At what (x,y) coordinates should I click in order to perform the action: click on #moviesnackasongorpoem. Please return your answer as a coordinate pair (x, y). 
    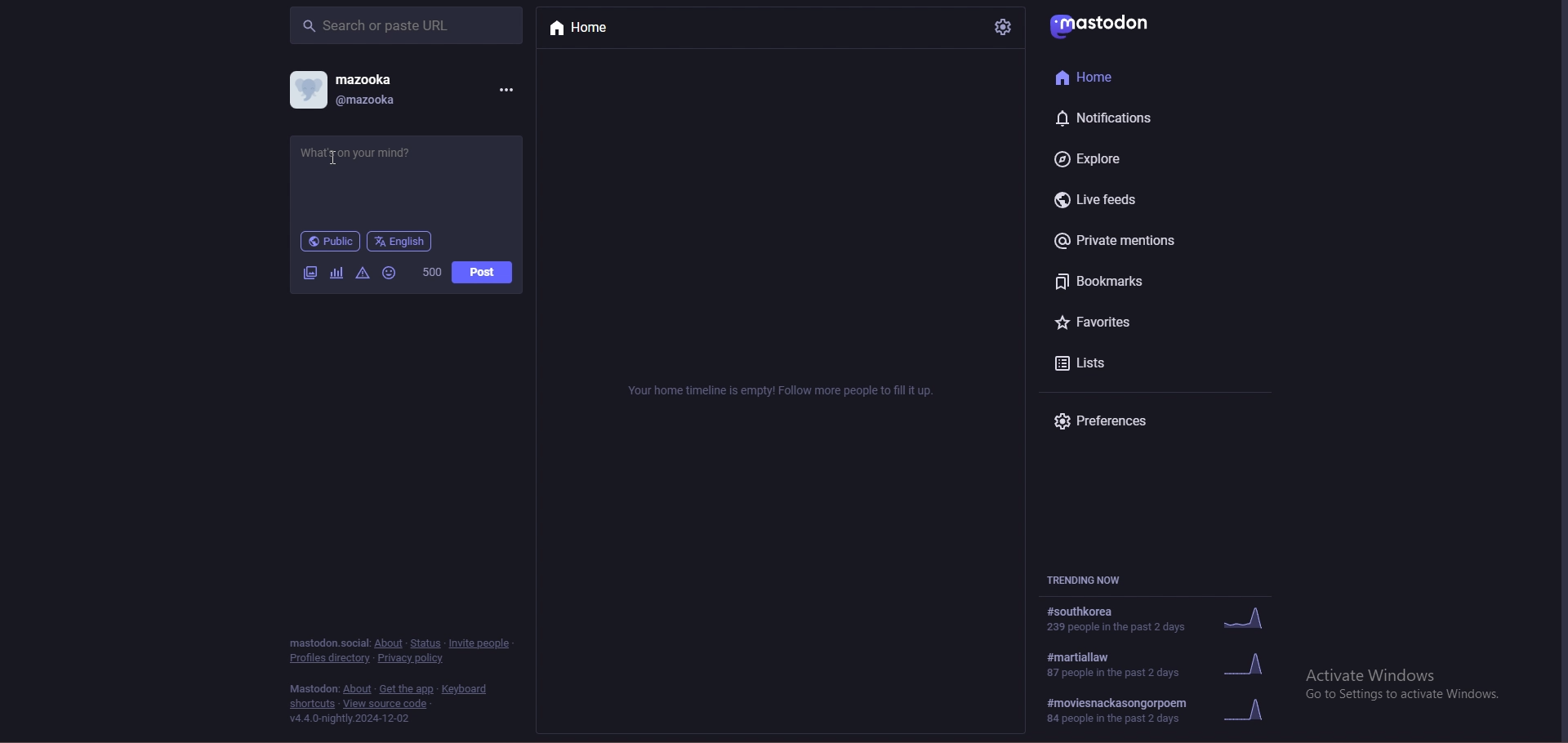
    Looking at the image, I should click on (1165, 711).